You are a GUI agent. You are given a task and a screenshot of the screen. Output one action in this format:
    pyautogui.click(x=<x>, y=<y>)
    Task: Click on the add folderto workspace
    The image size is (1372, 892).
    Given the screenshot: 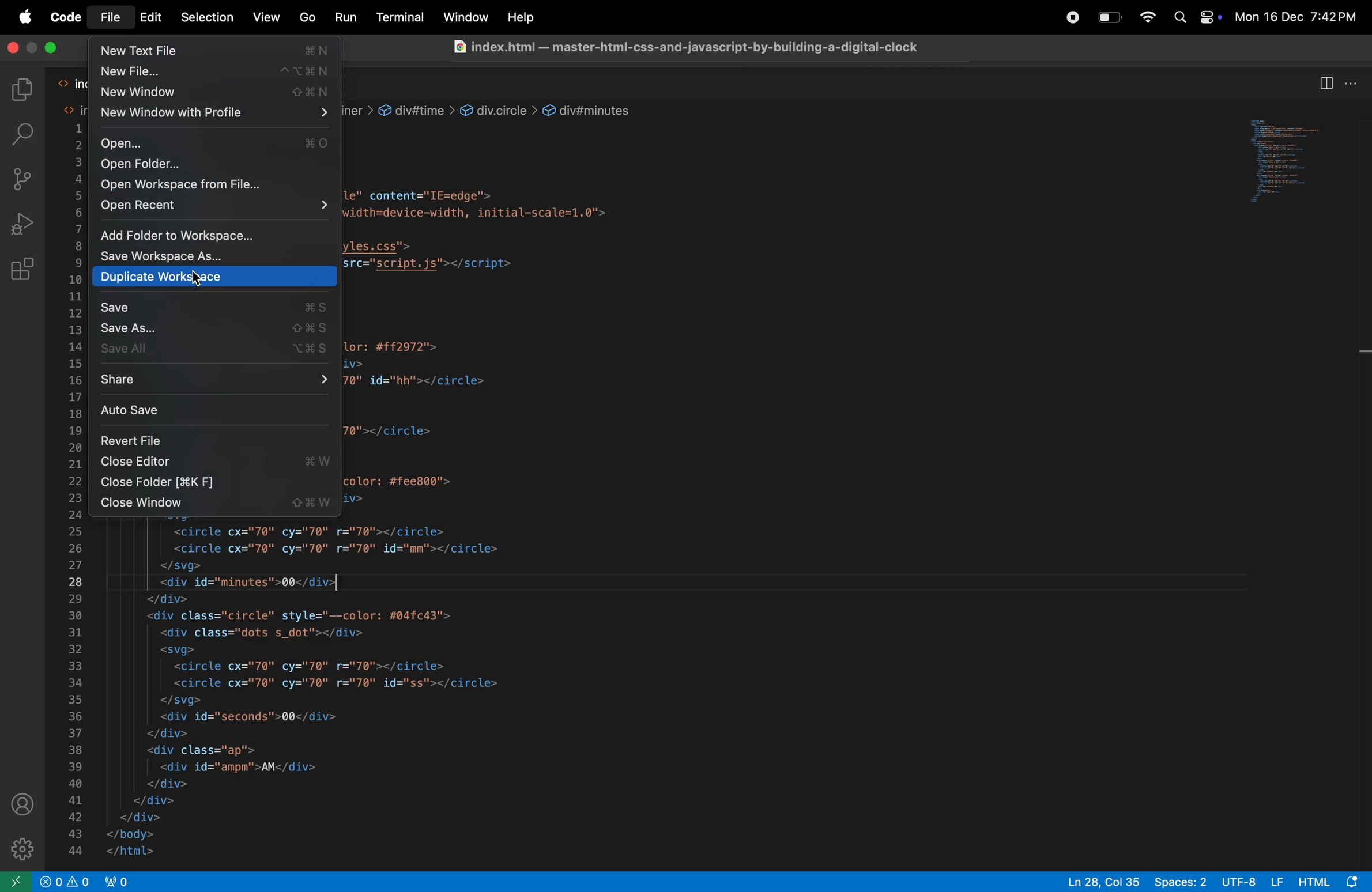 What is the action you would take?
    pyautogui.click(x=214, y=236)
    